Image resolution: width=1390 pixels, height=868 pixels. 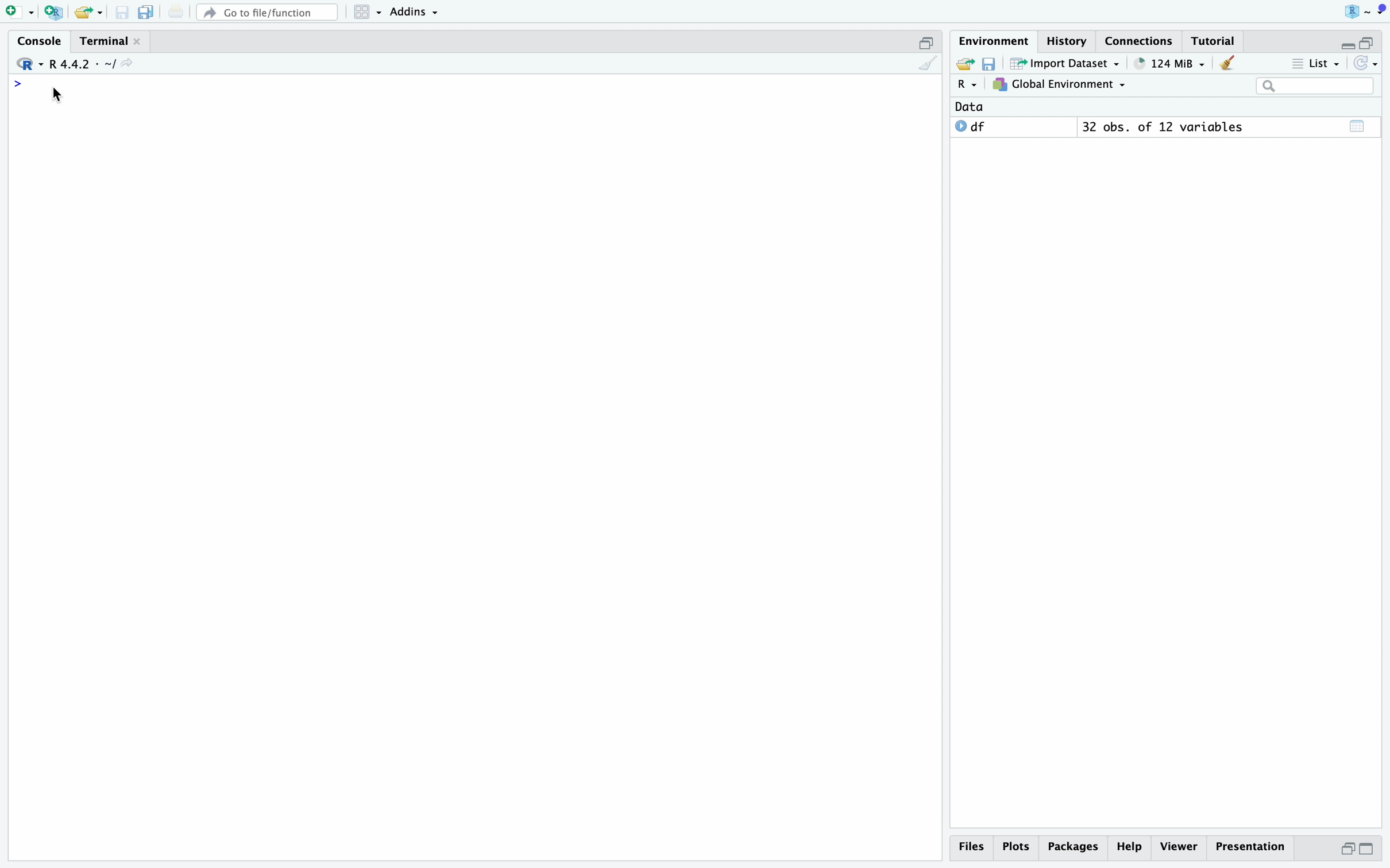 I want to click on close, so click(x=137, y=41).